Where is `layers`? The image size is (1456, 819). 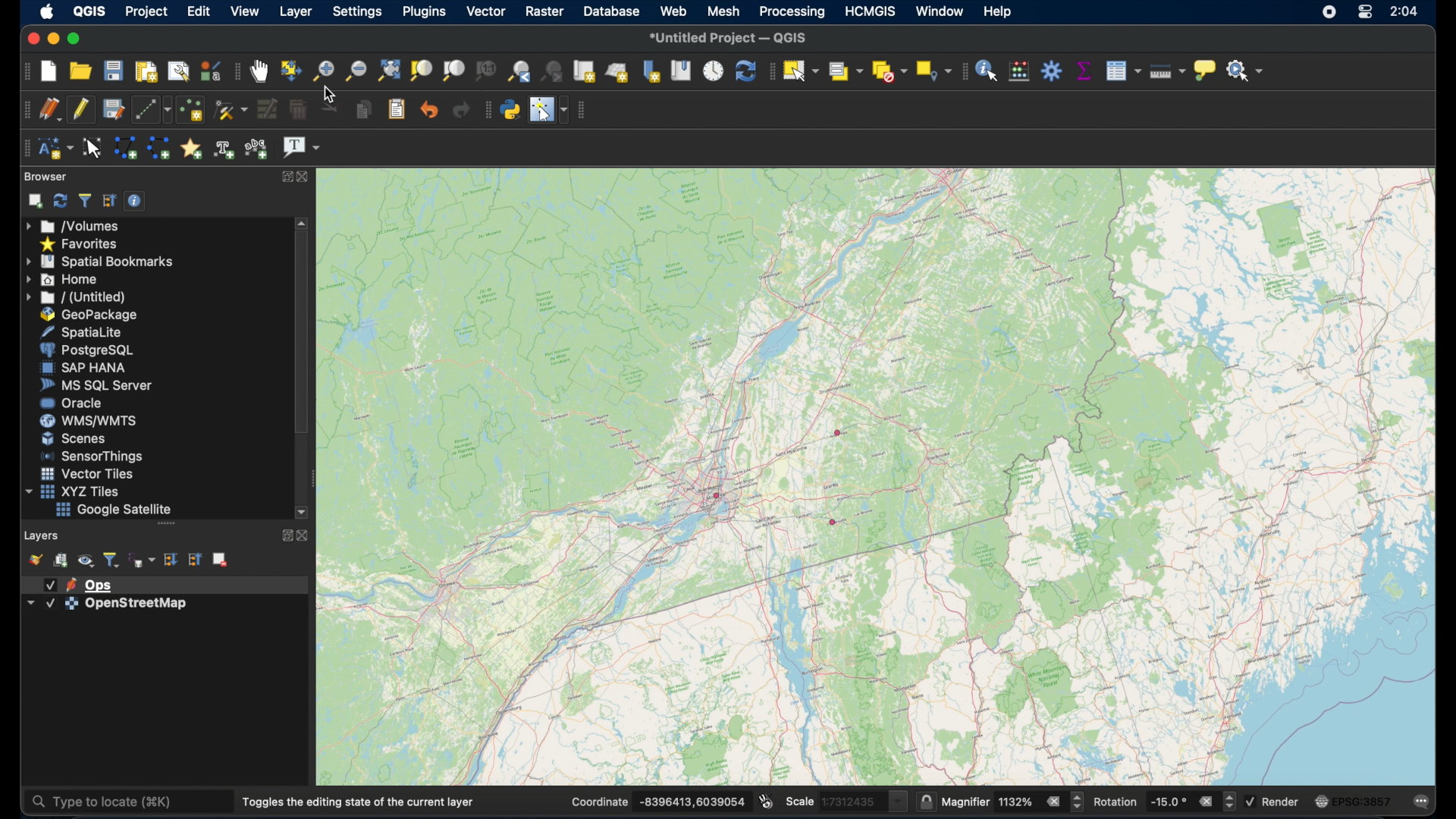
layers is located at coordinates (40, 535).